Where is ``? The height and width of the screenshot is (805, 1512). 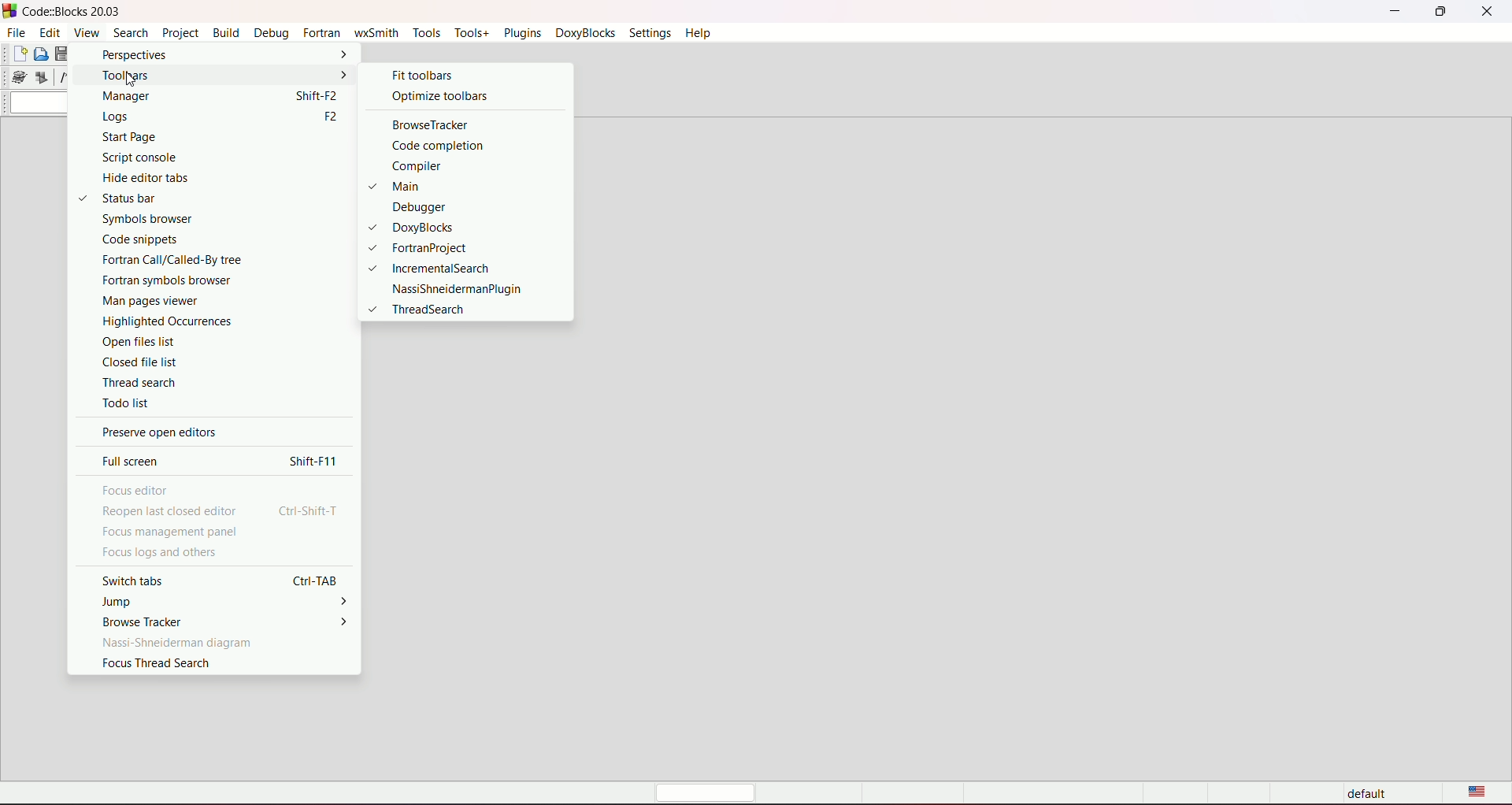
 is located at coordinates (1479, 794).